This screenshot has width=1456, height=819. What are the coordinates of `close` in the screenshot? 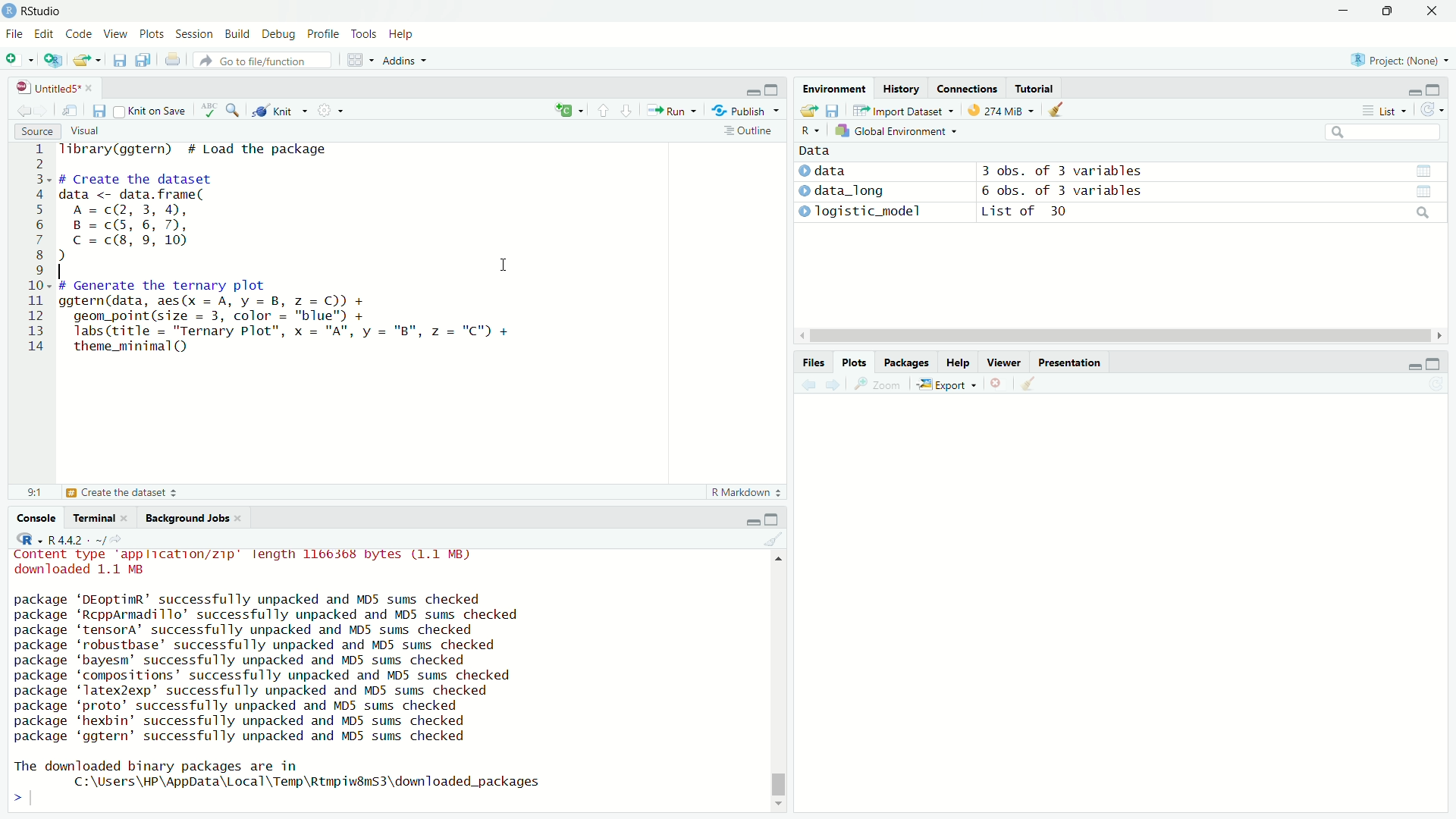 It's located at (994, 384).